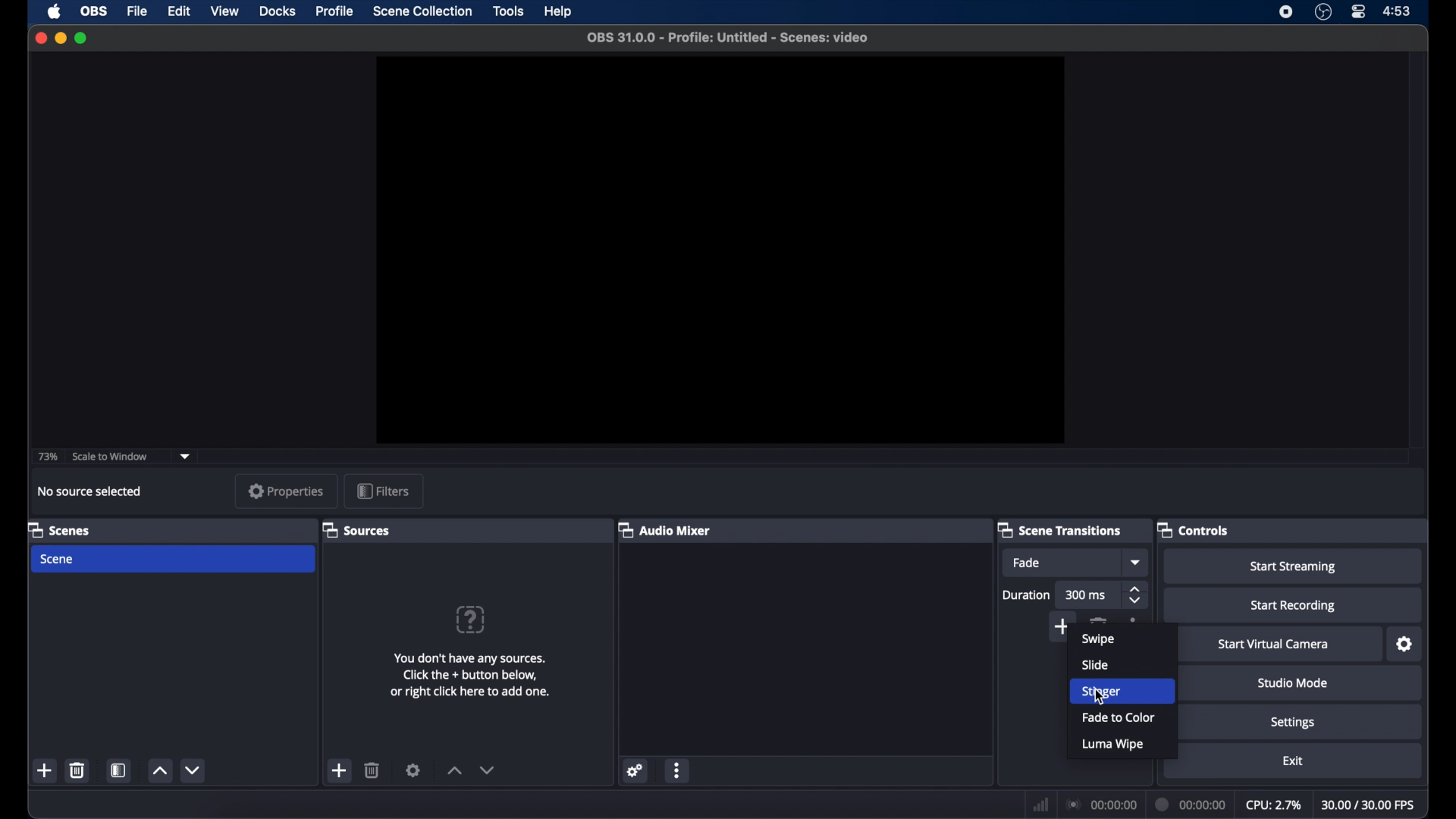 The height and width of the screenshot is (819, 1456). Describe the element at coordinates (120, 770) in the screenshot. I see `scene filters` at that location.